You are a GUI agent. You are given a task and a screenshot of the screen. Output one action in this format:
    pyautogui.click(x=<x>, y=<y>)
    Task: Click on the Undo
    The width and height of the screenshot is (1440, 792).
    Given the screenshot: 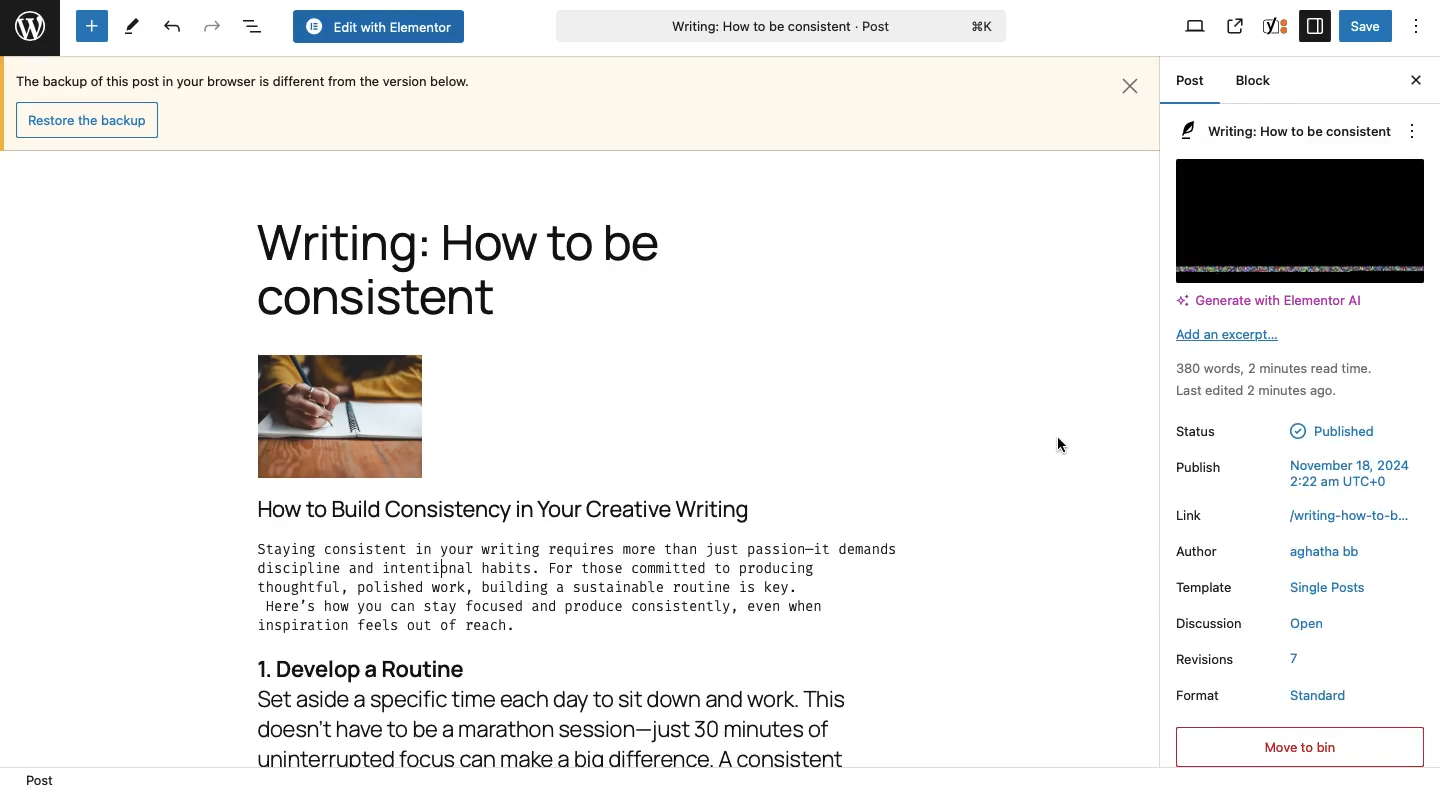 What is the action you would take?
    pyautogui.click(x=172, y=27)
    